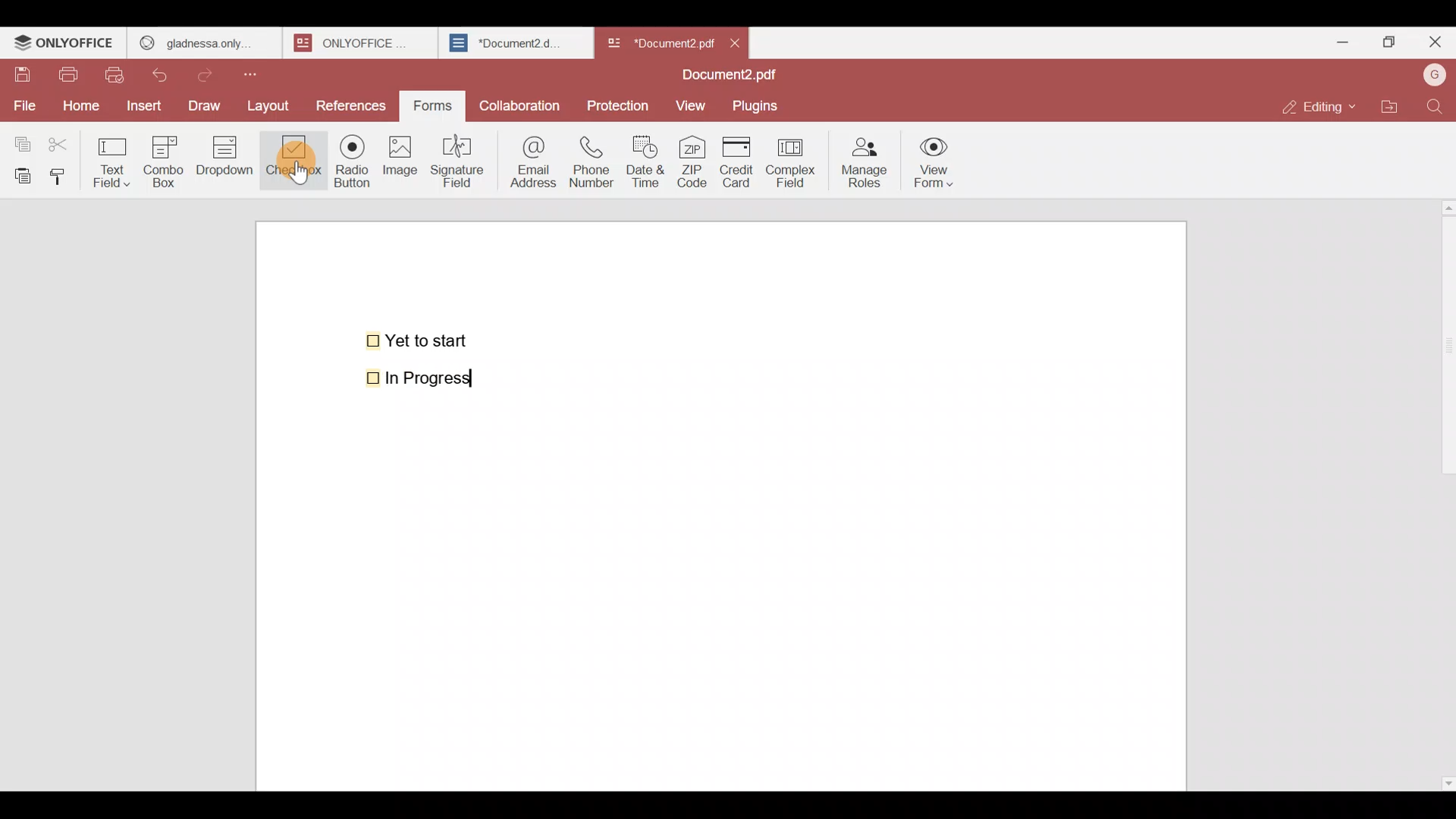  I want to click on onlyoffice, so click(355, 42).